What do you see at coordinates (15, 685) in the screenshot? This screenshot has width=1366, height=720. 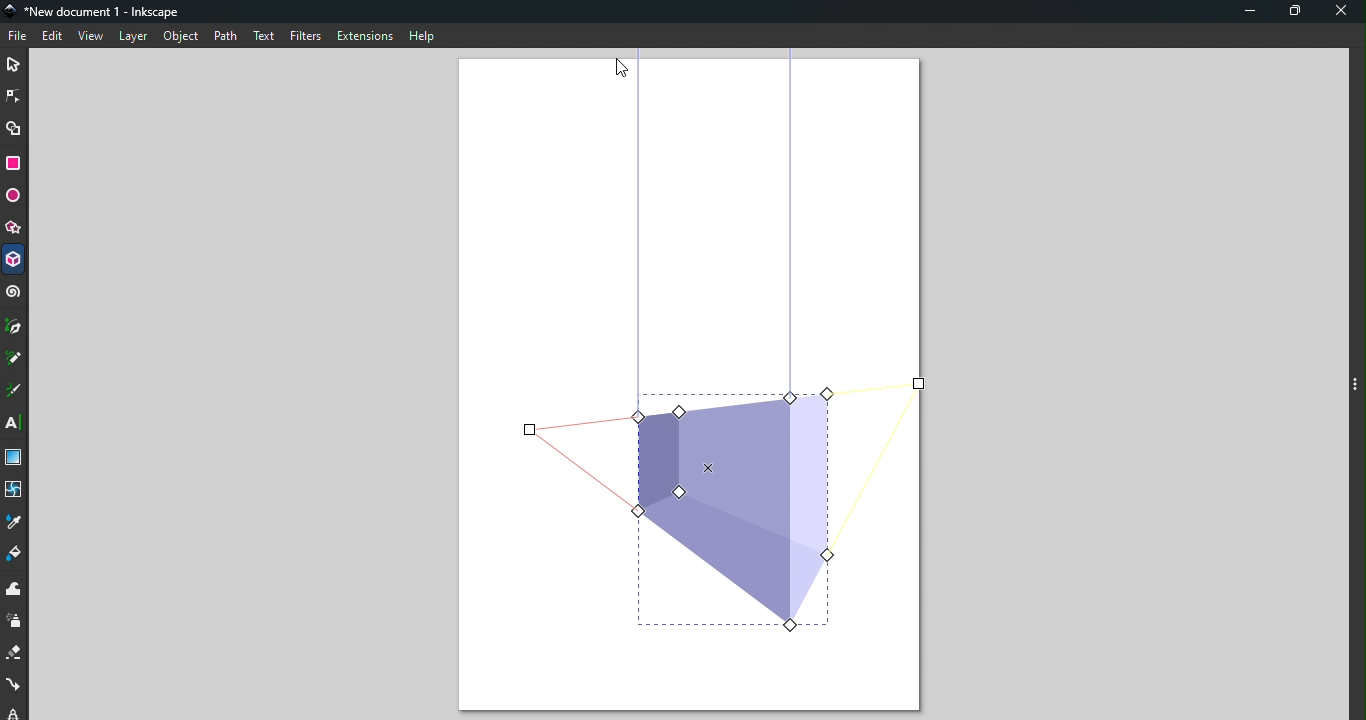 I see `Connector tool` at bounding box center [15, 685].